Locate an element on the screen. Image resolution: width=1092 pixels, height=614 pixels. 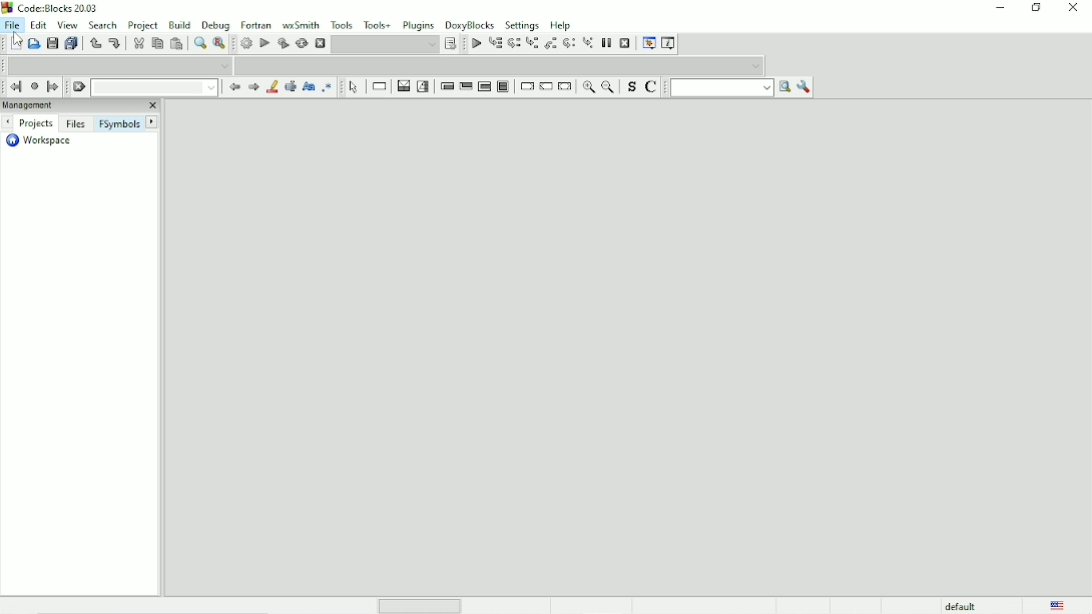
Paste is located at coordinates (177, 44).